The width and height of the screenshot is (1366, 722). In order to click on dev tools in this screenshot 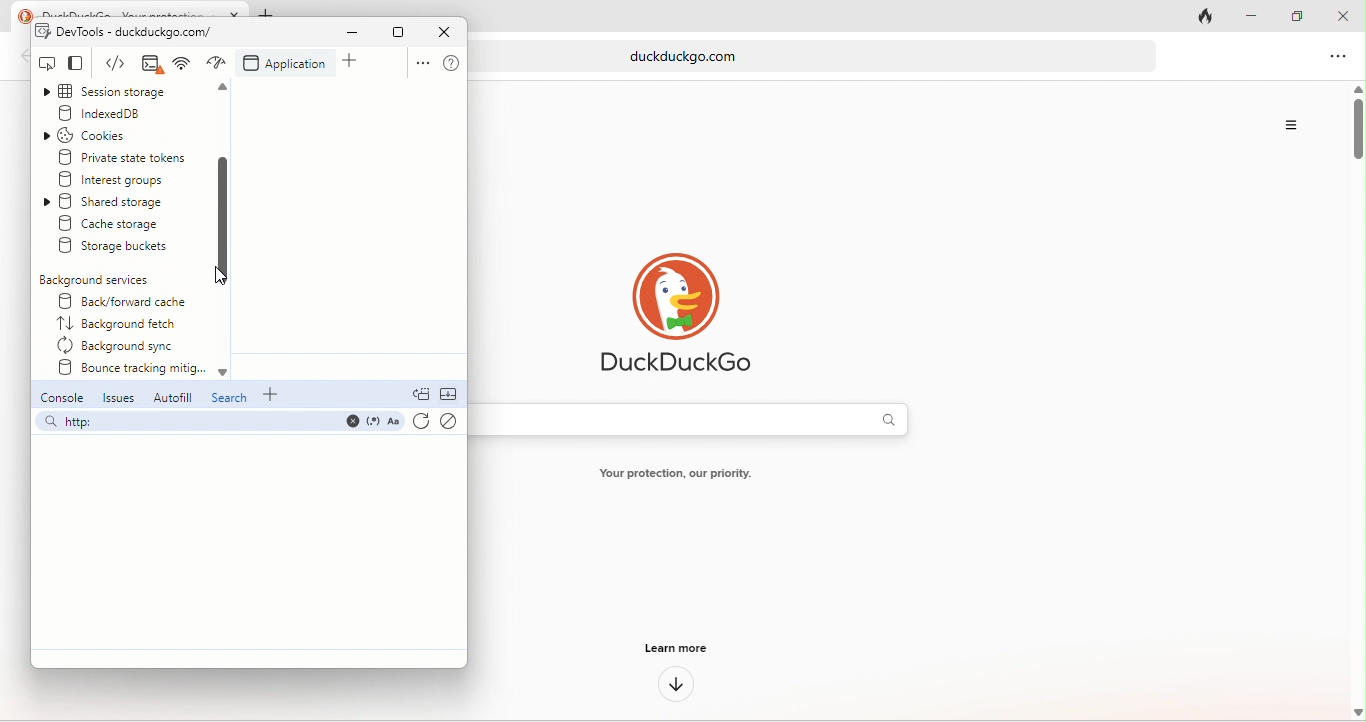, I will do `click(126, 32)`.